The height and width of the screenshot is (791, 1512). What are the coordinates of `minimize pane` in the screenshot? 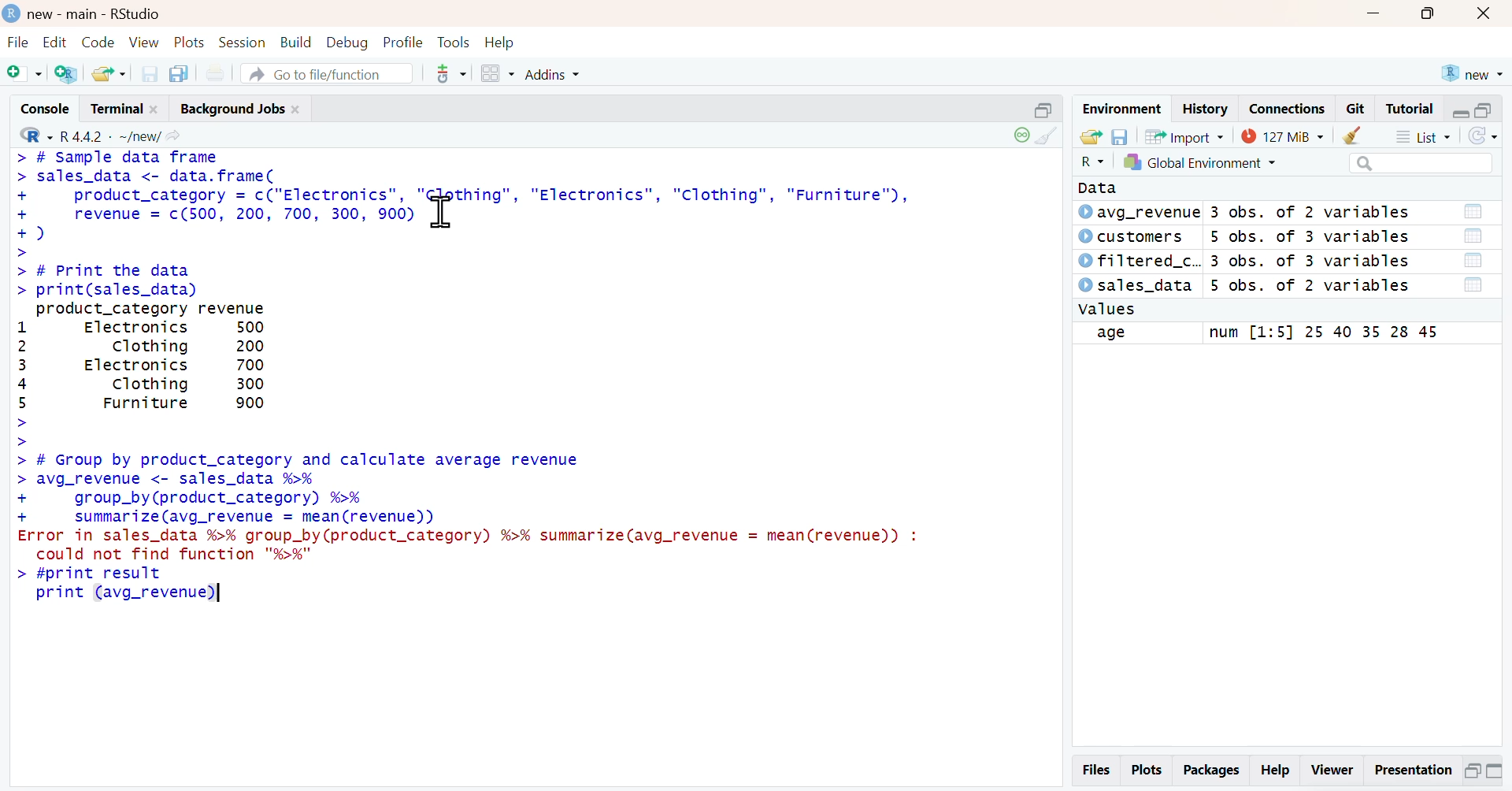 It's located at (1462, 112).